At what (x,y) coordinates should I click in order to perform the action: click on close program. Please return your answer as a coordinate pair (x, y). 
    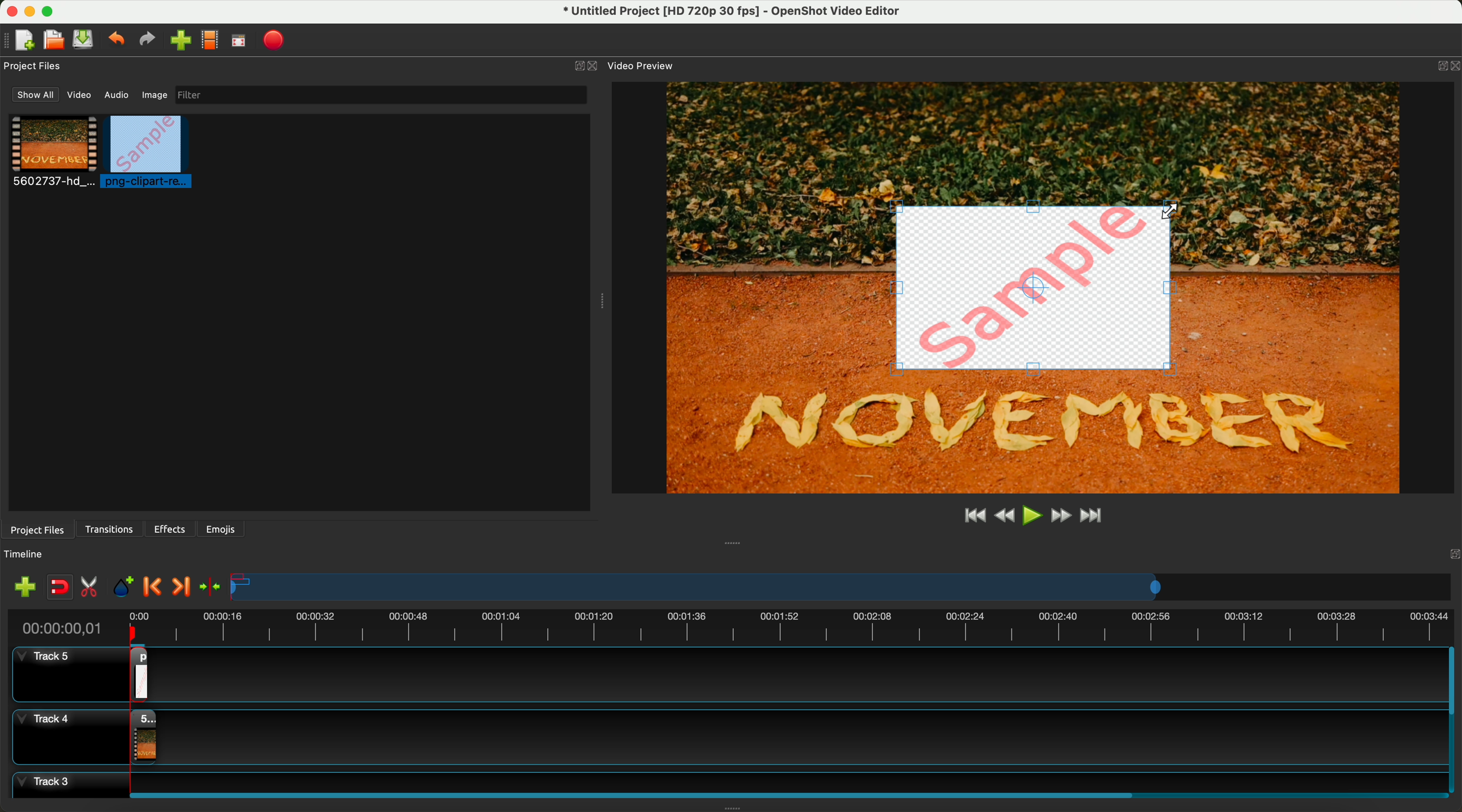
    Looking at the image, I should click on (9, 10).